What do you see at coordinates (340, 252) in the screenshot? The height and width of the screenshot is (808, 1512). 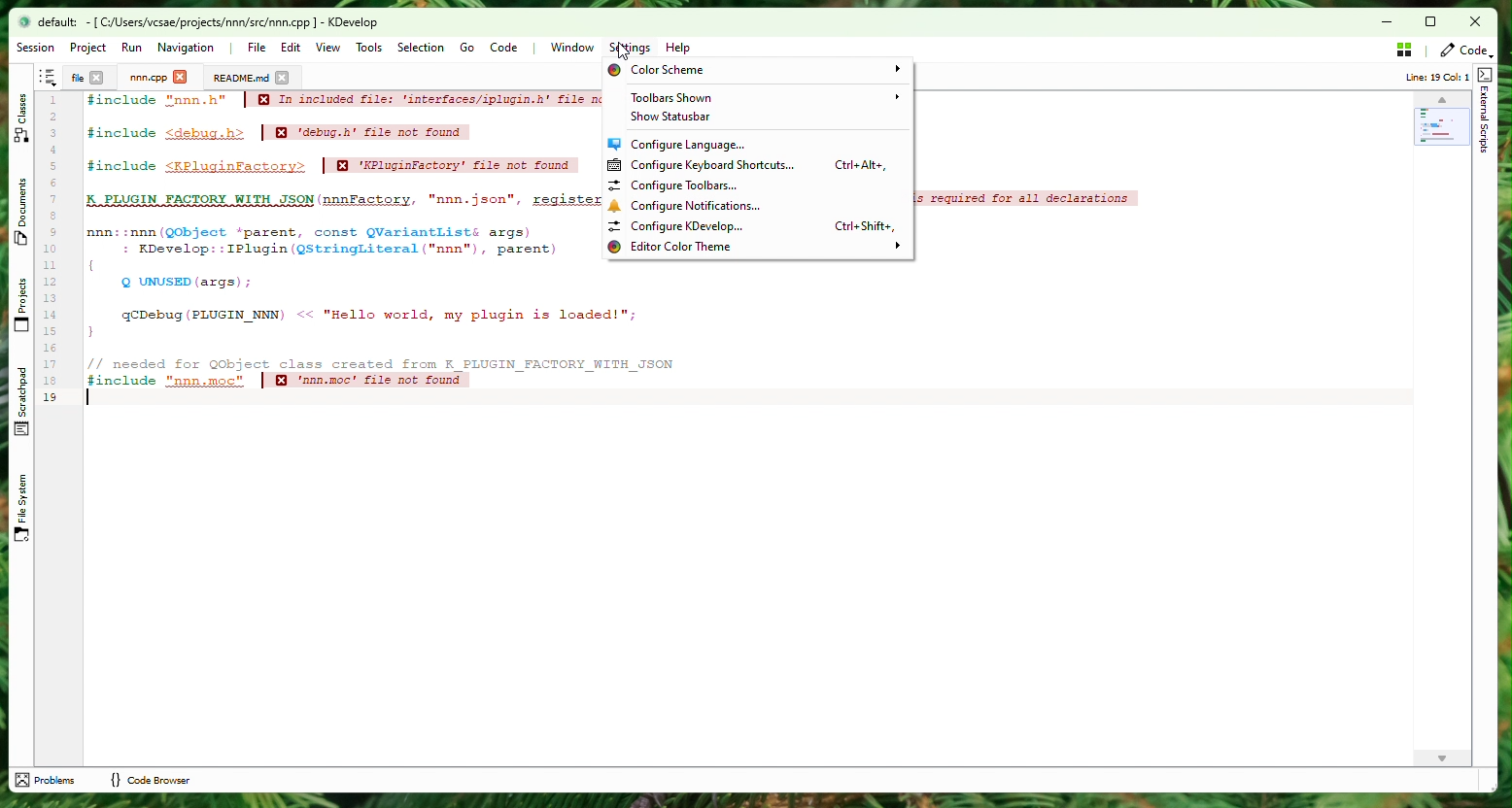 I see `Code` at bounding box center [340, 252].